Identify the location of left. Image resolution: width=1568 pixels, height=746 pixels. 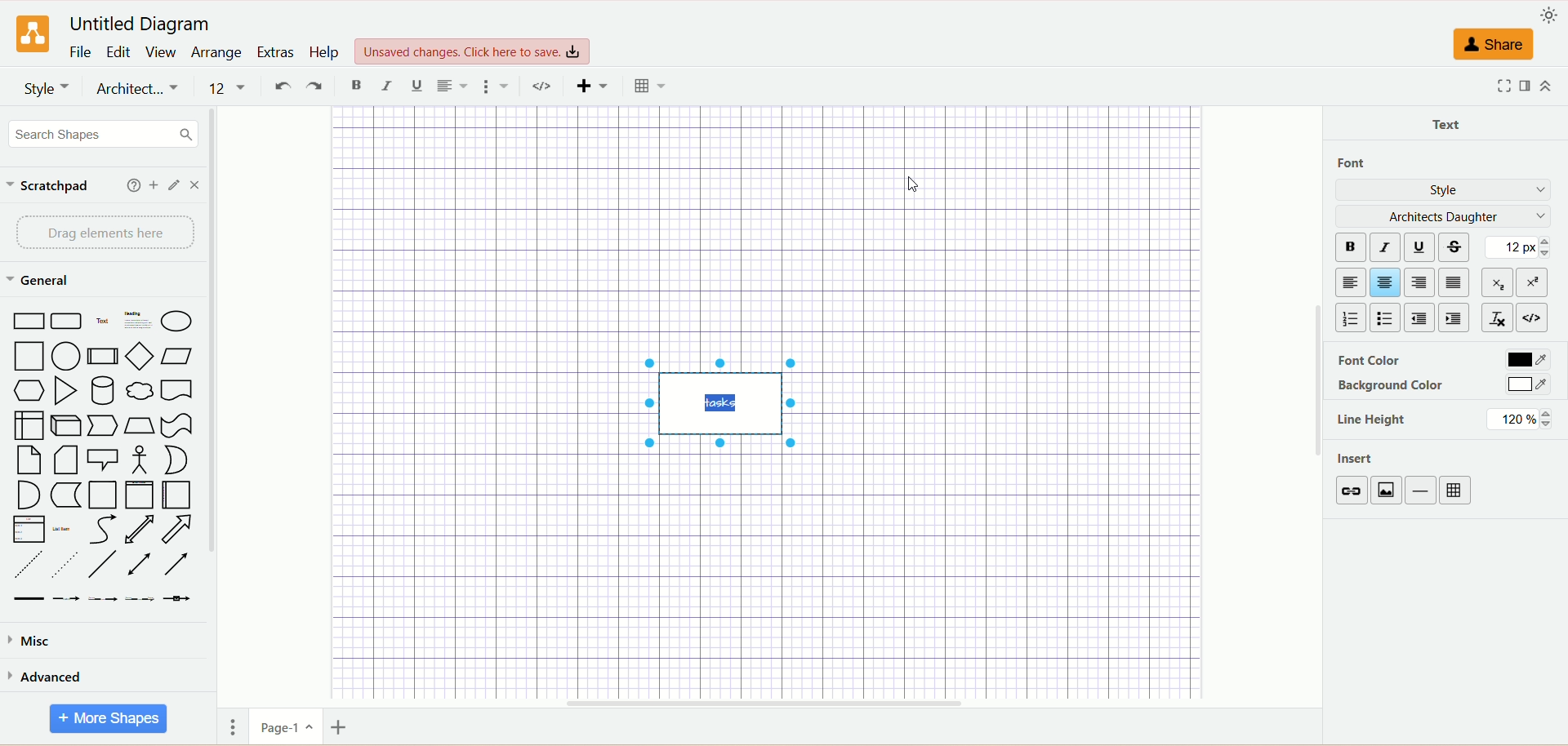
(1347, 282).